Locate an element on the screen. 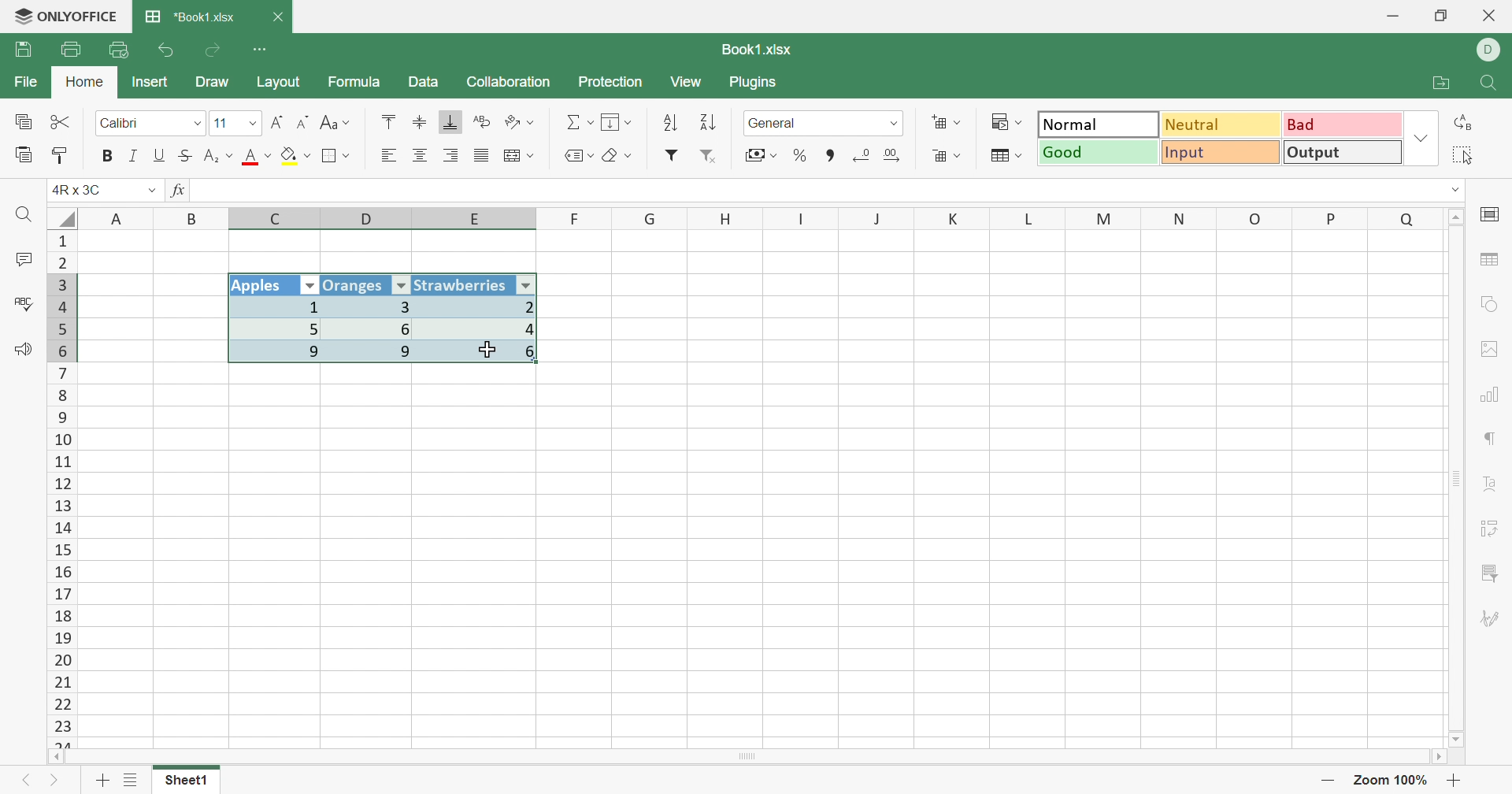  horizontal Scroll bar is located at coordinates (752, 755).